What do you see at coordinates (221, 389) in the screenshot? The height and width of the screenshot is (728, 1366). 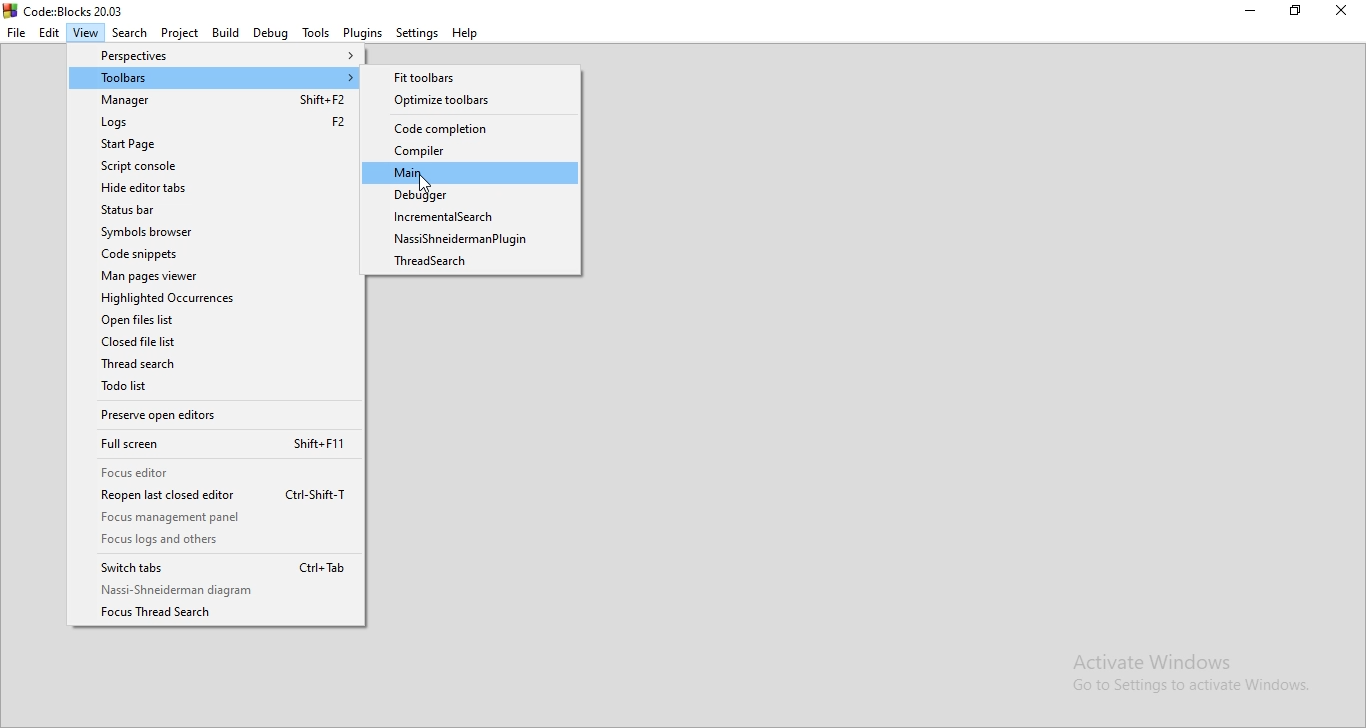 I see `Todo list` at bounding box center [221, 389].